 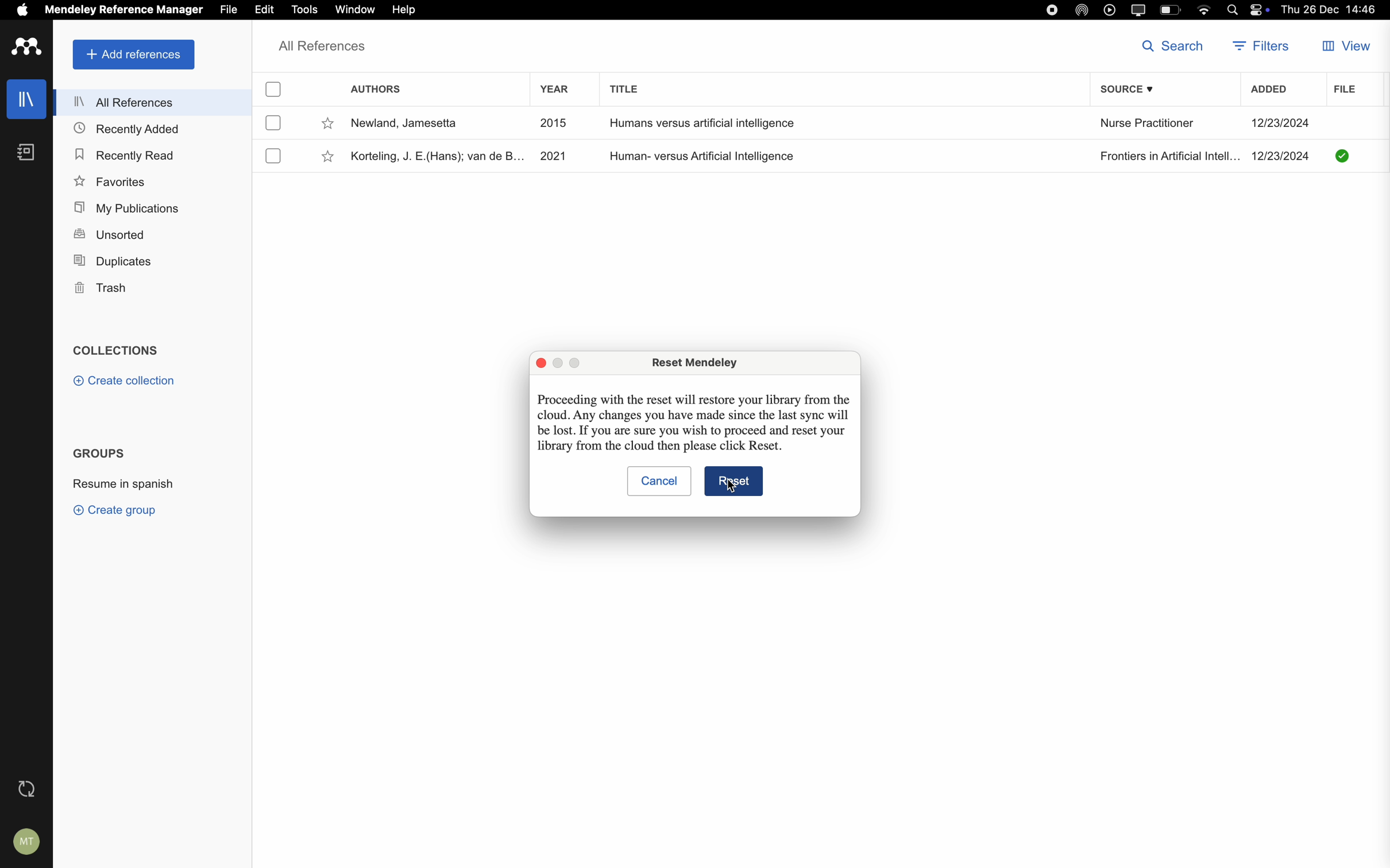 What do you see at coordinates (329, 160) in the screenshot?
I see `favorite` at bounding box center [329, 160].